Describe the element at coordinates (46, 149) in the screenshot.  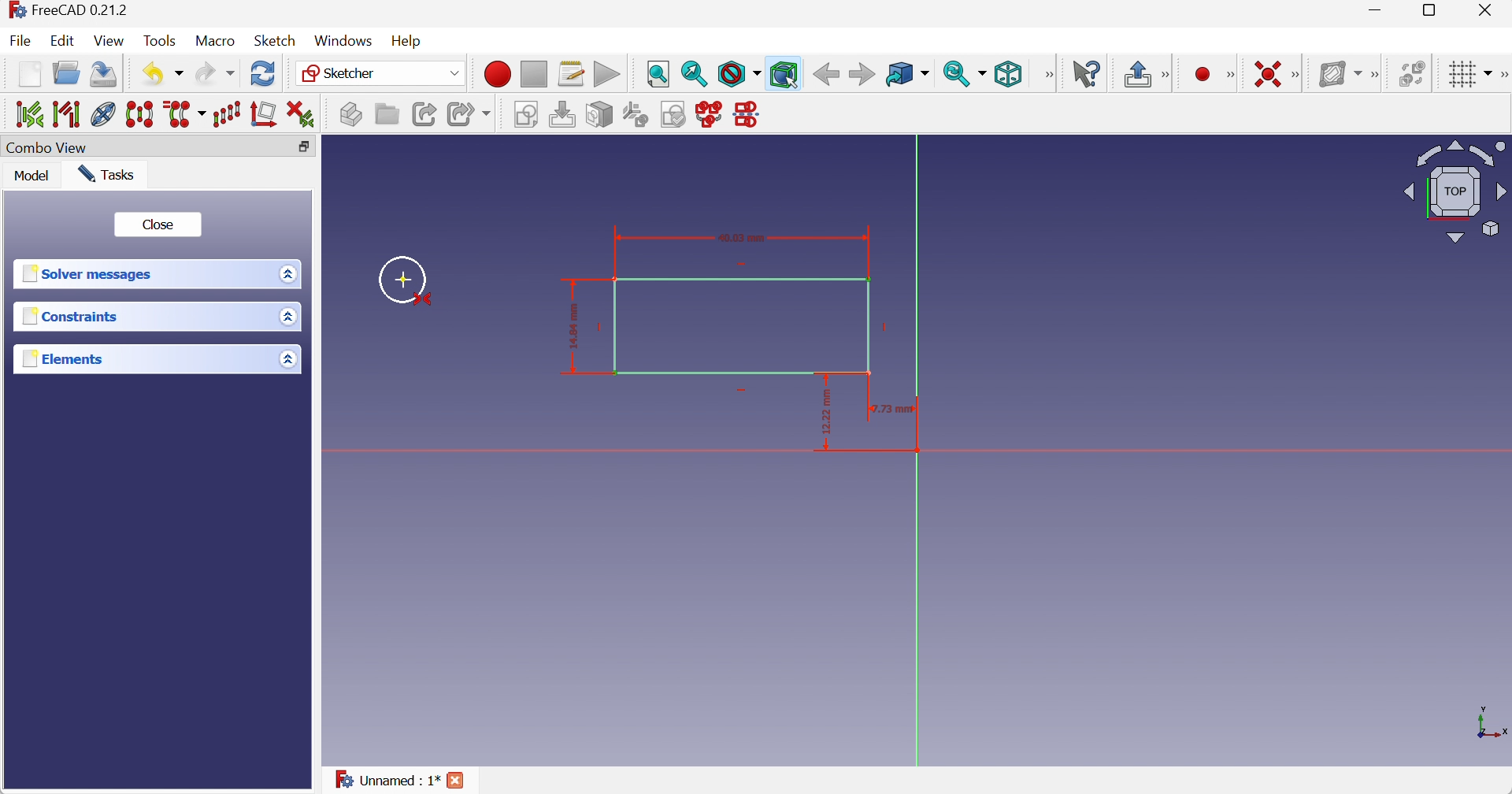
I see `Combo View` at that location.